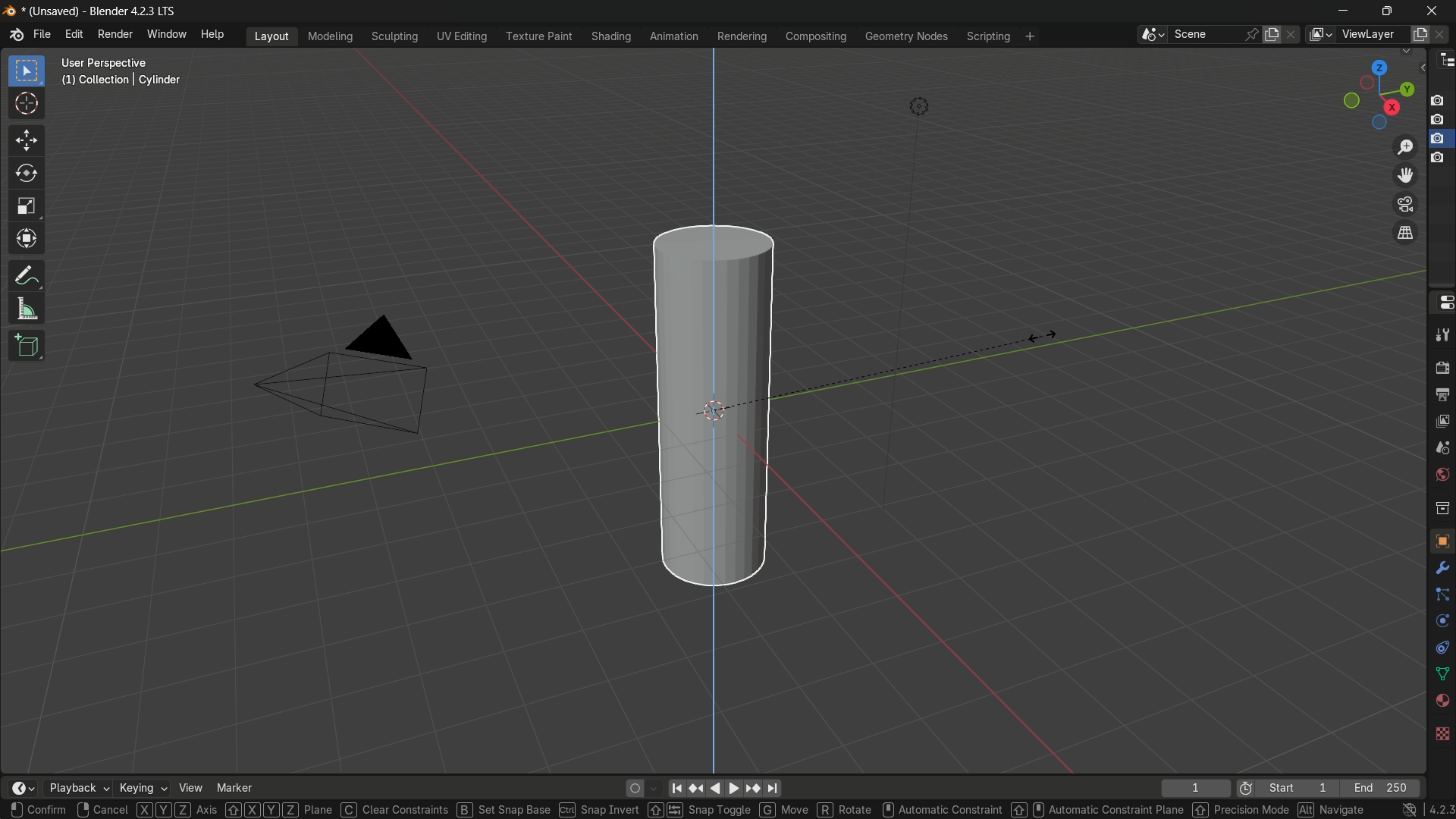 The height and width of the screenshot is (819, 1456). I want to click on scaling has been done in the z direction, so click(707, 397).